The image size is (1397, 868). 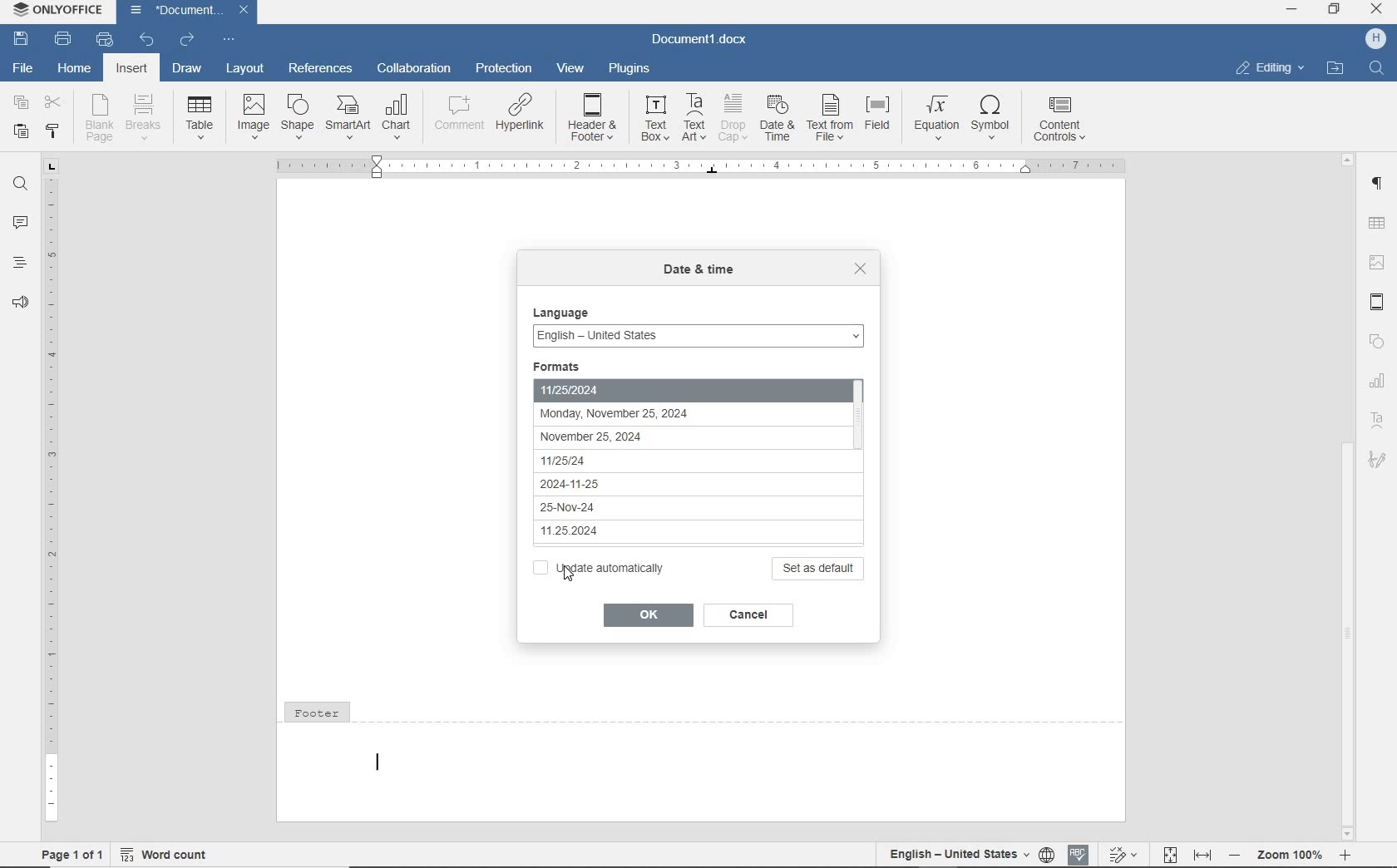 What do you see at coordinates (868, 456) in the screenshot?
I see `scroll bar` at bounding box center [868, 456].